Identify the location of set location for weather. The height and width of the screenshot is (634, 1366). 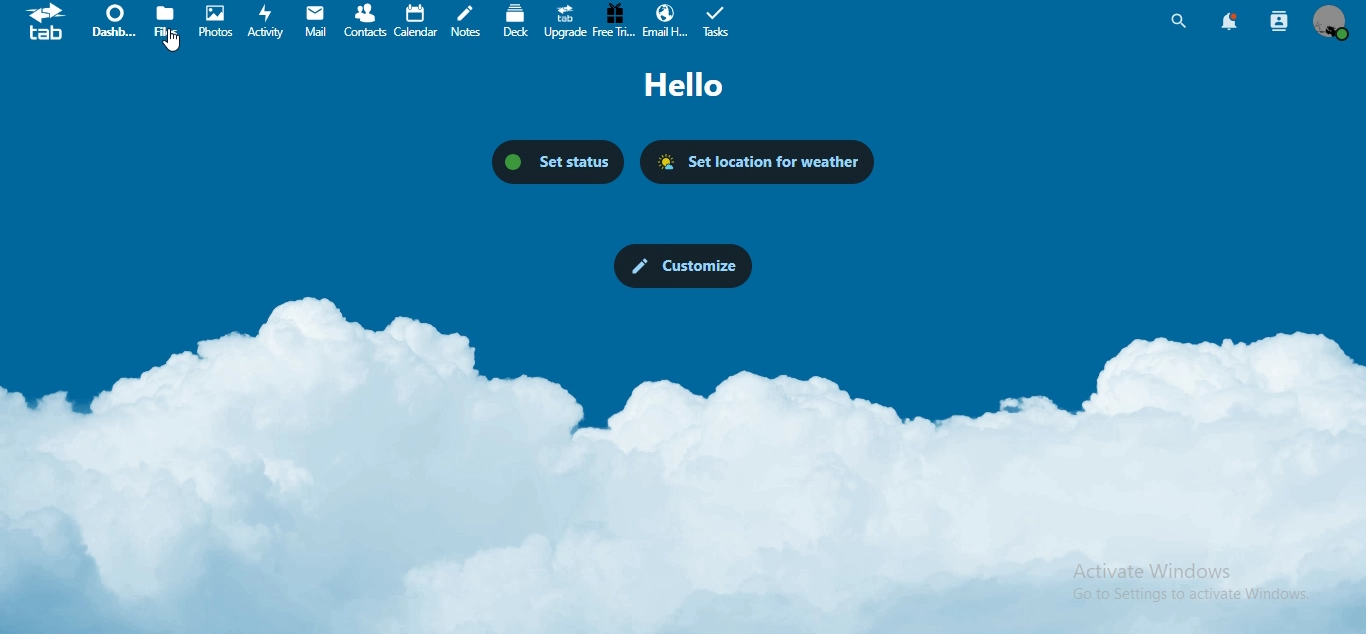
(756, 161).